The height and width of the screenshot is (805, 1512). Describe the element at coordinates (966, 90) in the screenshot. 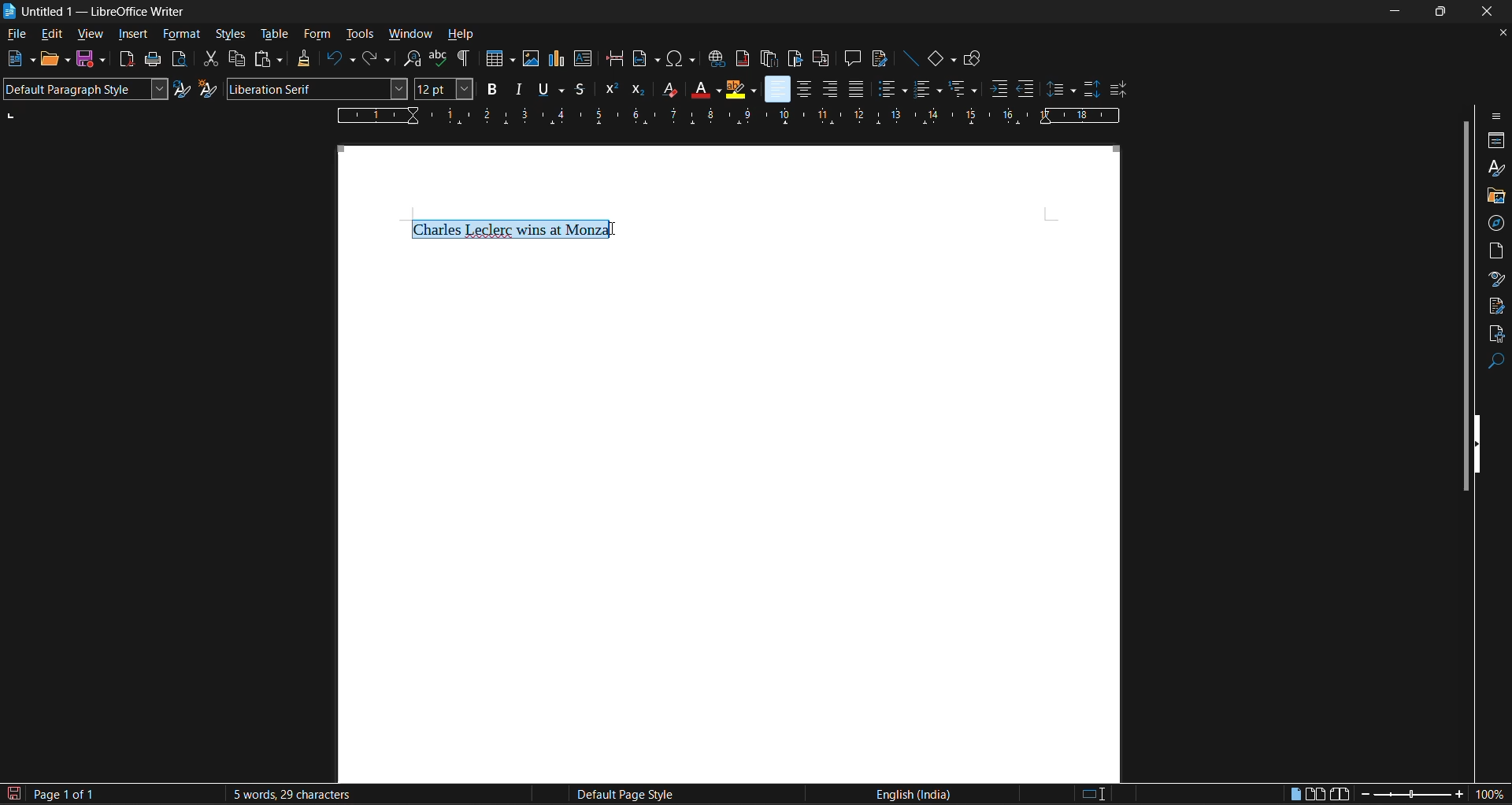

I see `select outline format` at that location.